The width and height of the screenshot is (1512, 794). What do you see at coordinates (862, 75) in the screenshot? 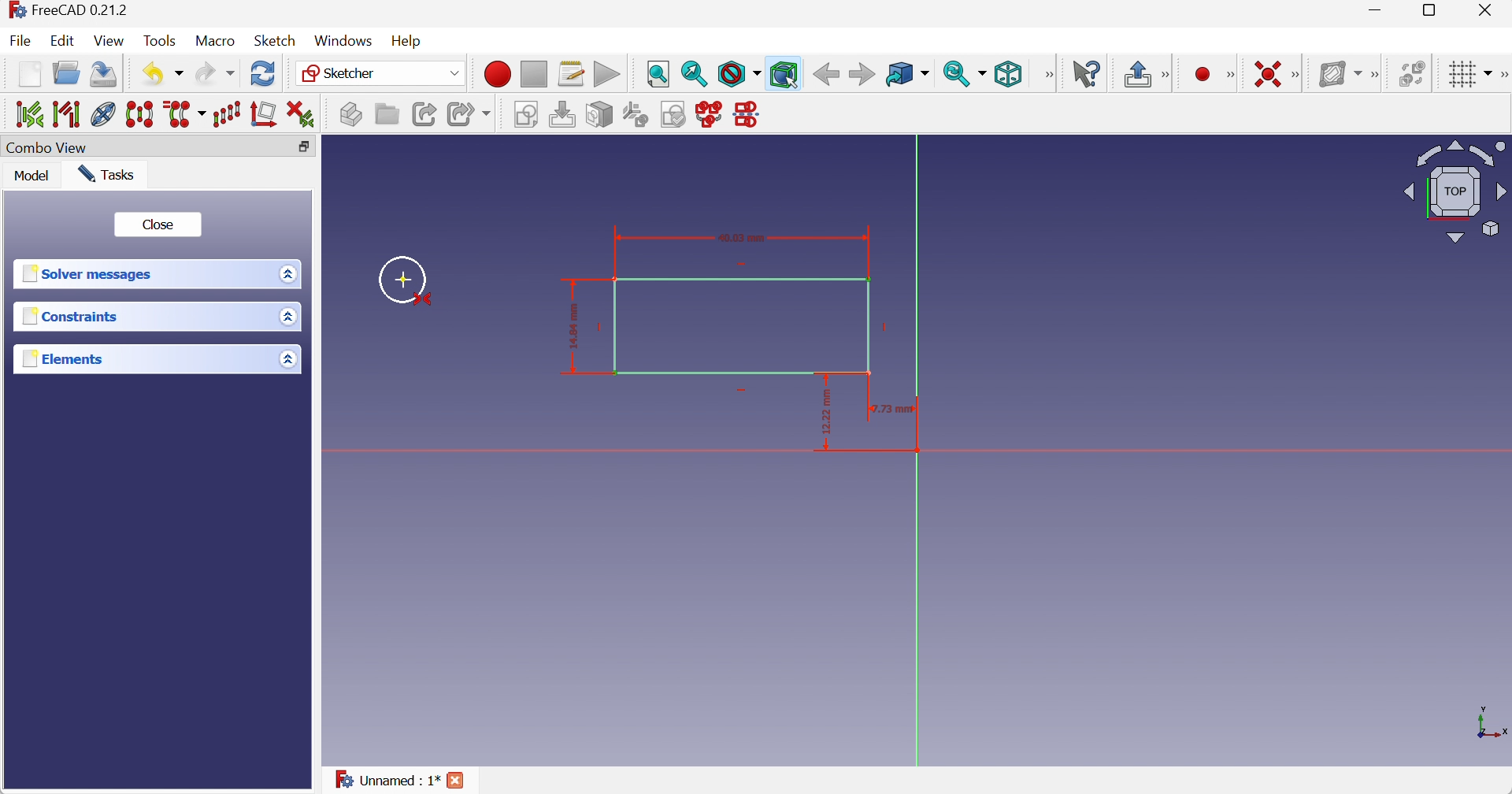
I see `Forward` at bounding box center [862, 75].